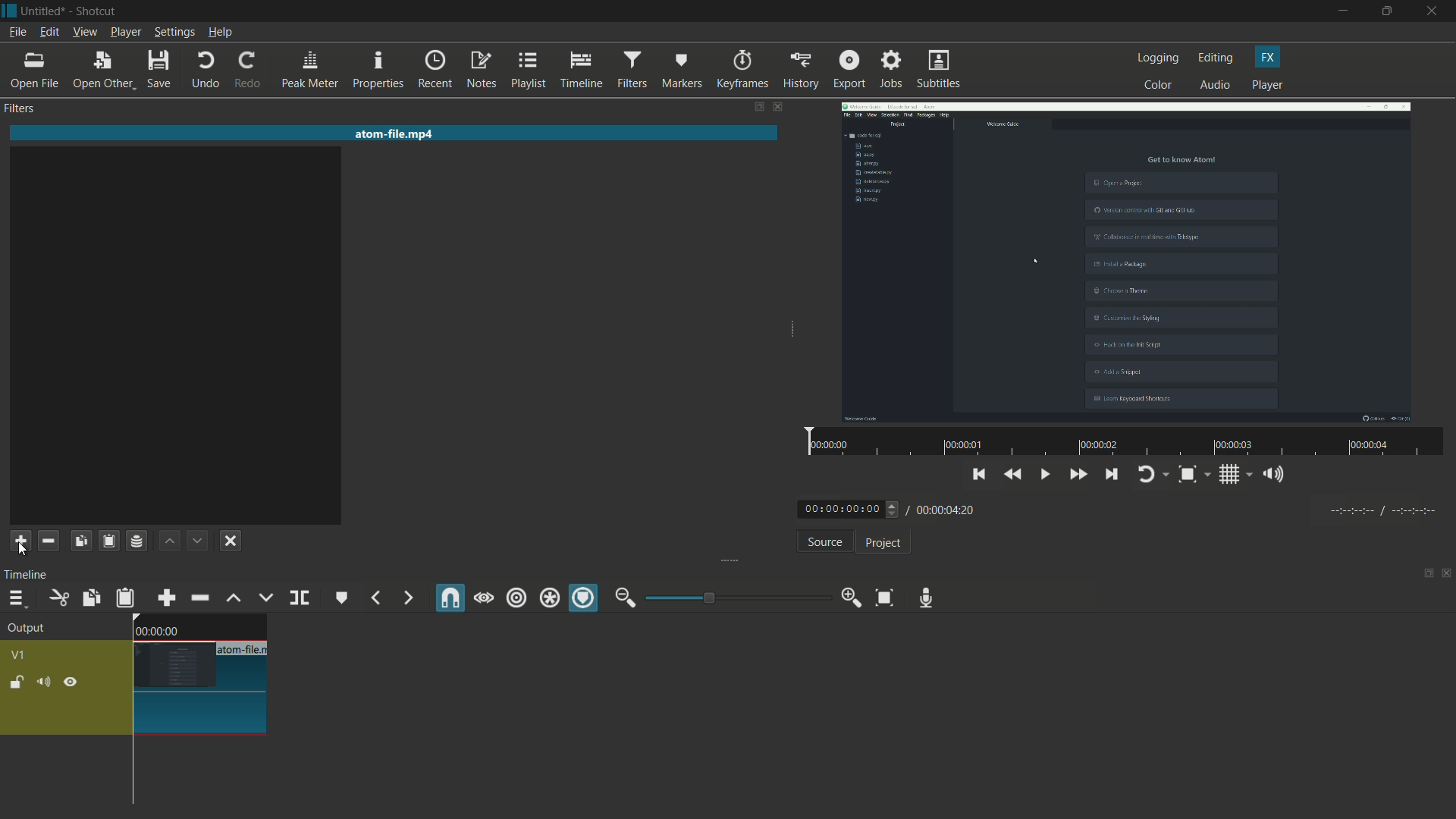 This screenshot has height=819, width=1456. Describe the element at coordinates (46, 11) in the screenshot. I see `Untitled (file name)` at that location.